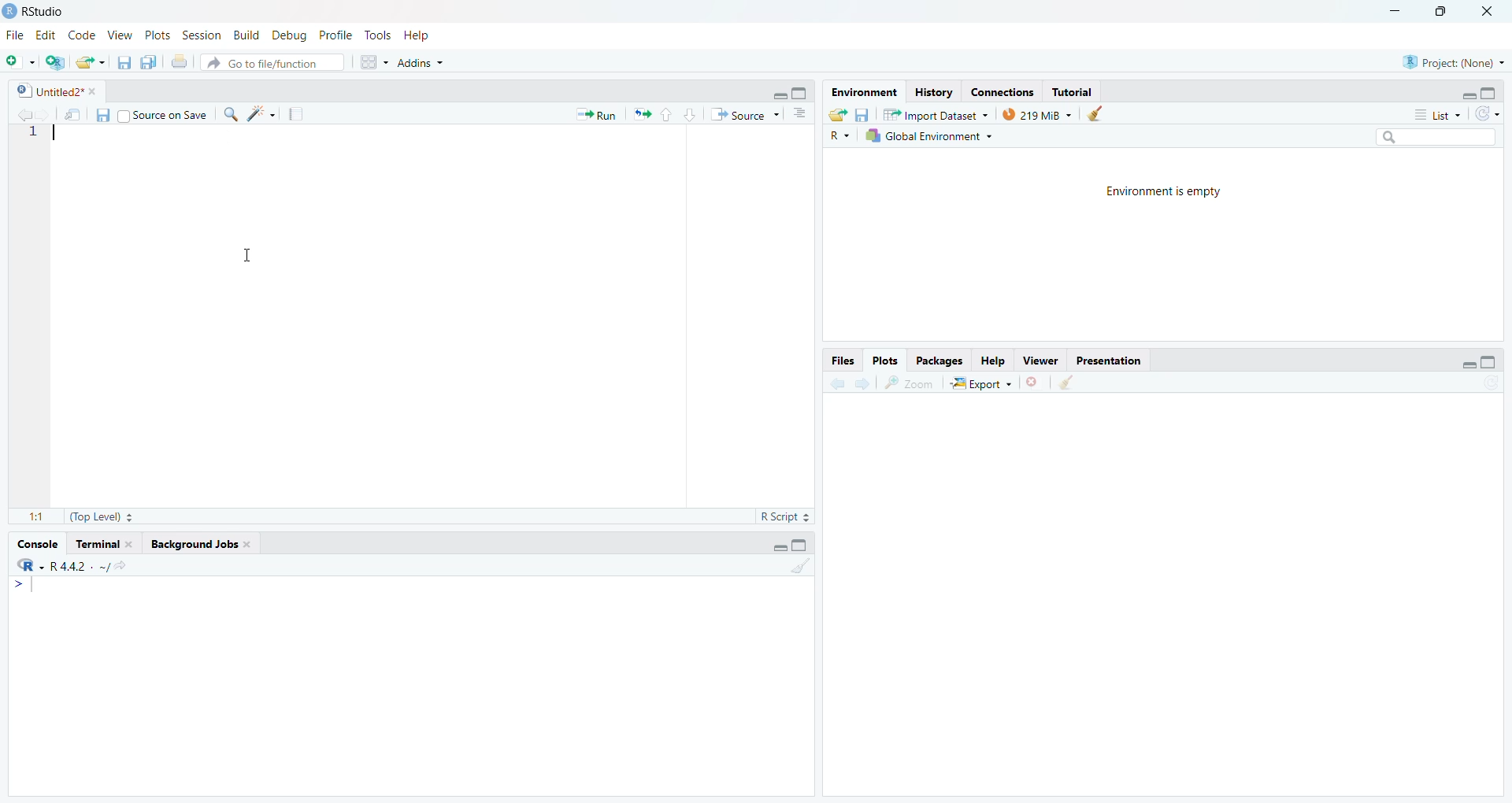 The width and height of the screenshot is (1512, 803). I want to click on Untitled2*, so click(55, 91).